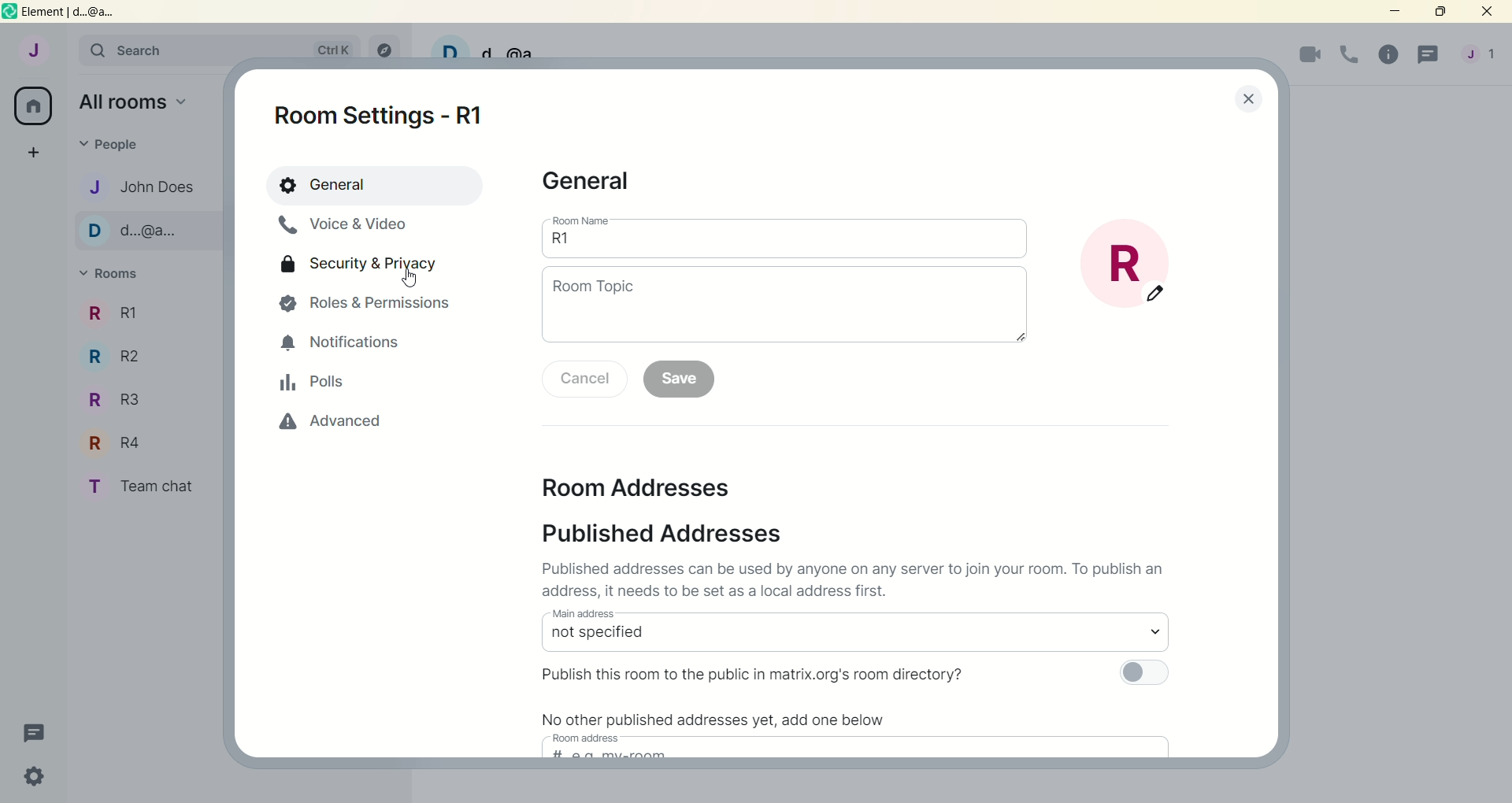  What do you see at coordinates (332, 425) in the screenshot?
I see `advanced` at bounding box center [332, 425].